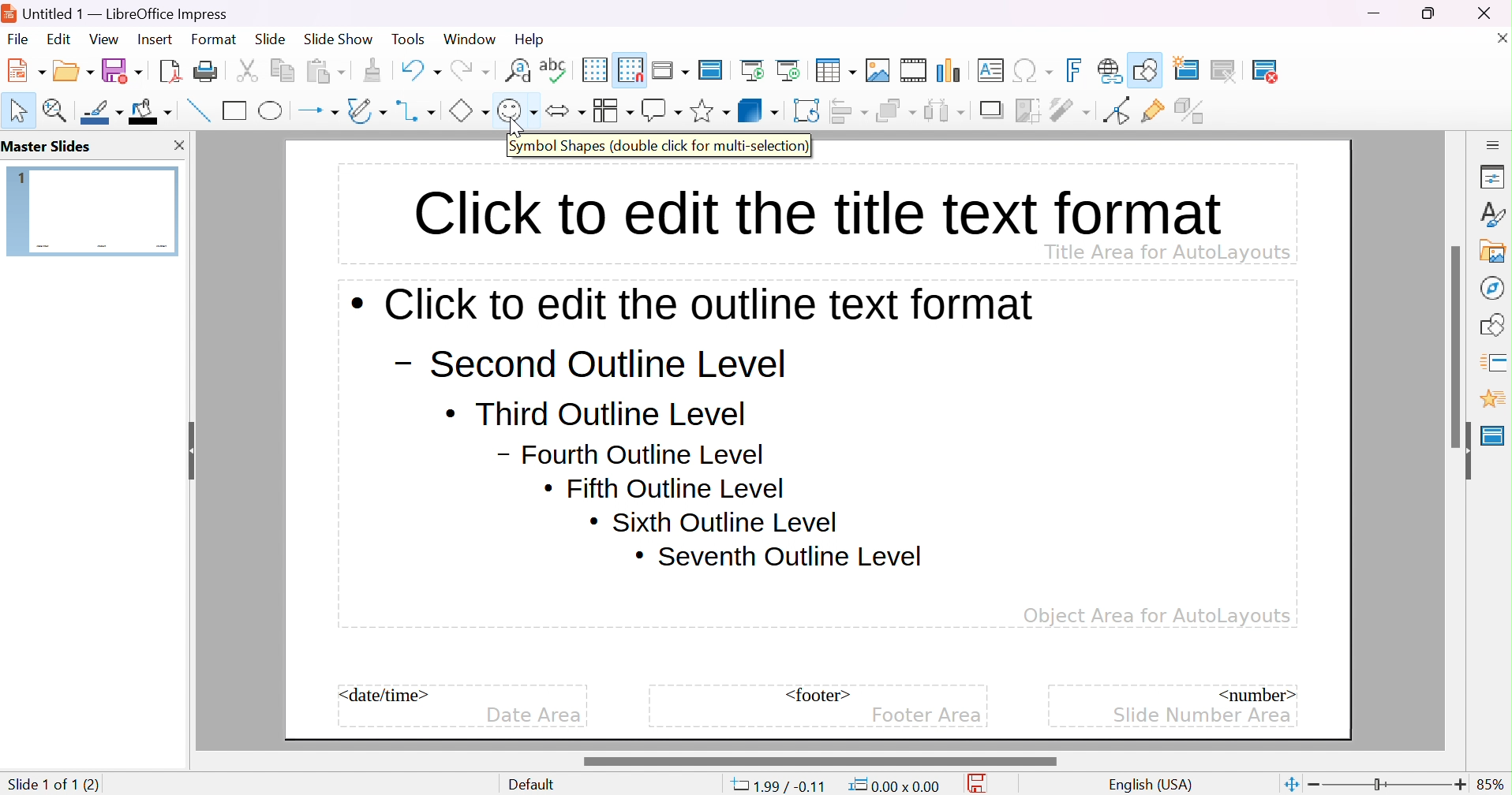  What do you see at coordinates (672, 69) in the screenshot?
I see `display views` at bounding box center [672, 69].